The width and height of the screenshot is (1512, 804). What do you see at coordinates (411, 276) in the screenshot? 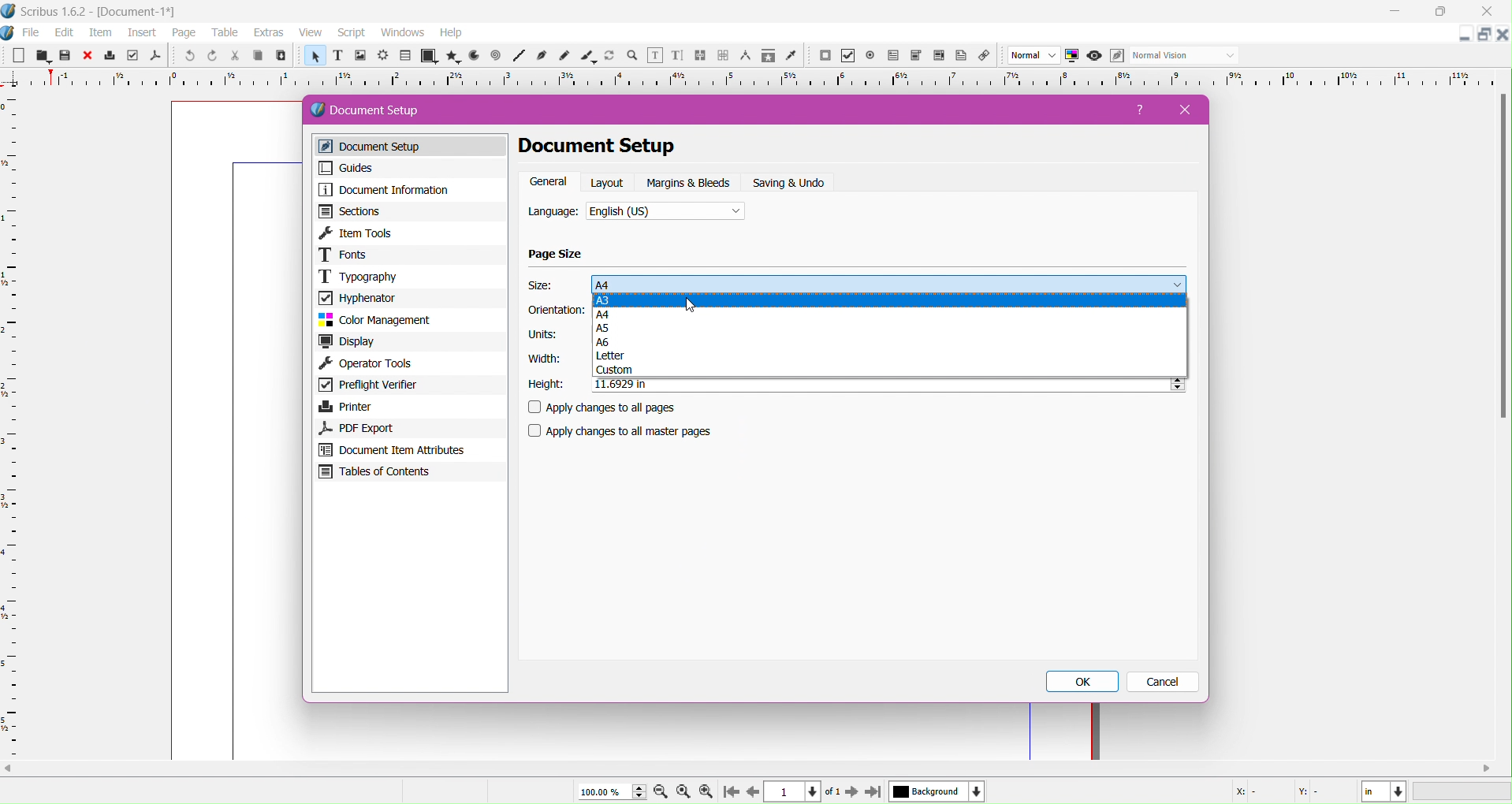
I see `Typography` at bounding box center [411, 276].